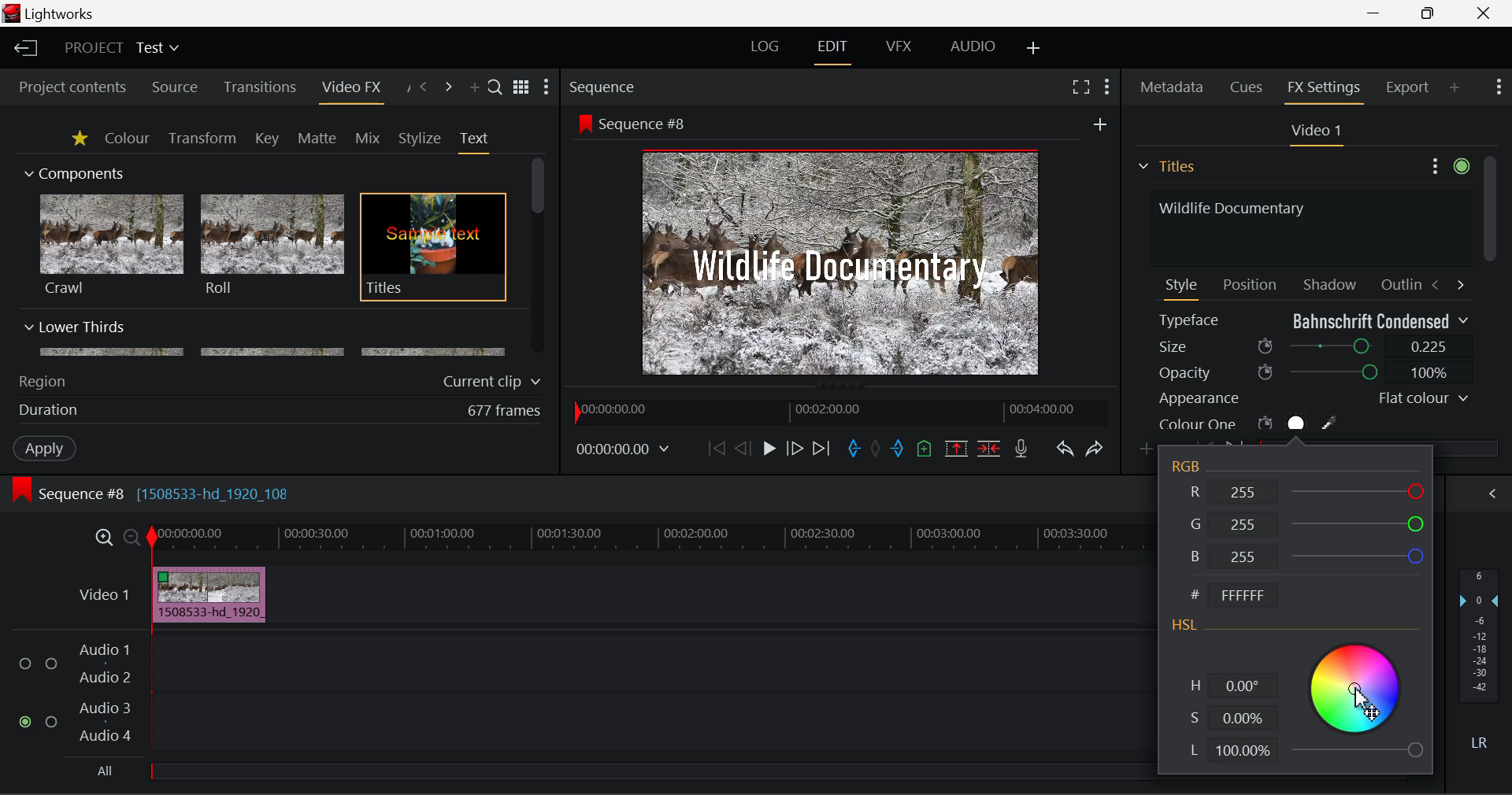 The width and height of the screenshot is (1512, 795). Describe the element at coordinates (649, 538) in the screenshot. I see `Project Timeline` at that location.